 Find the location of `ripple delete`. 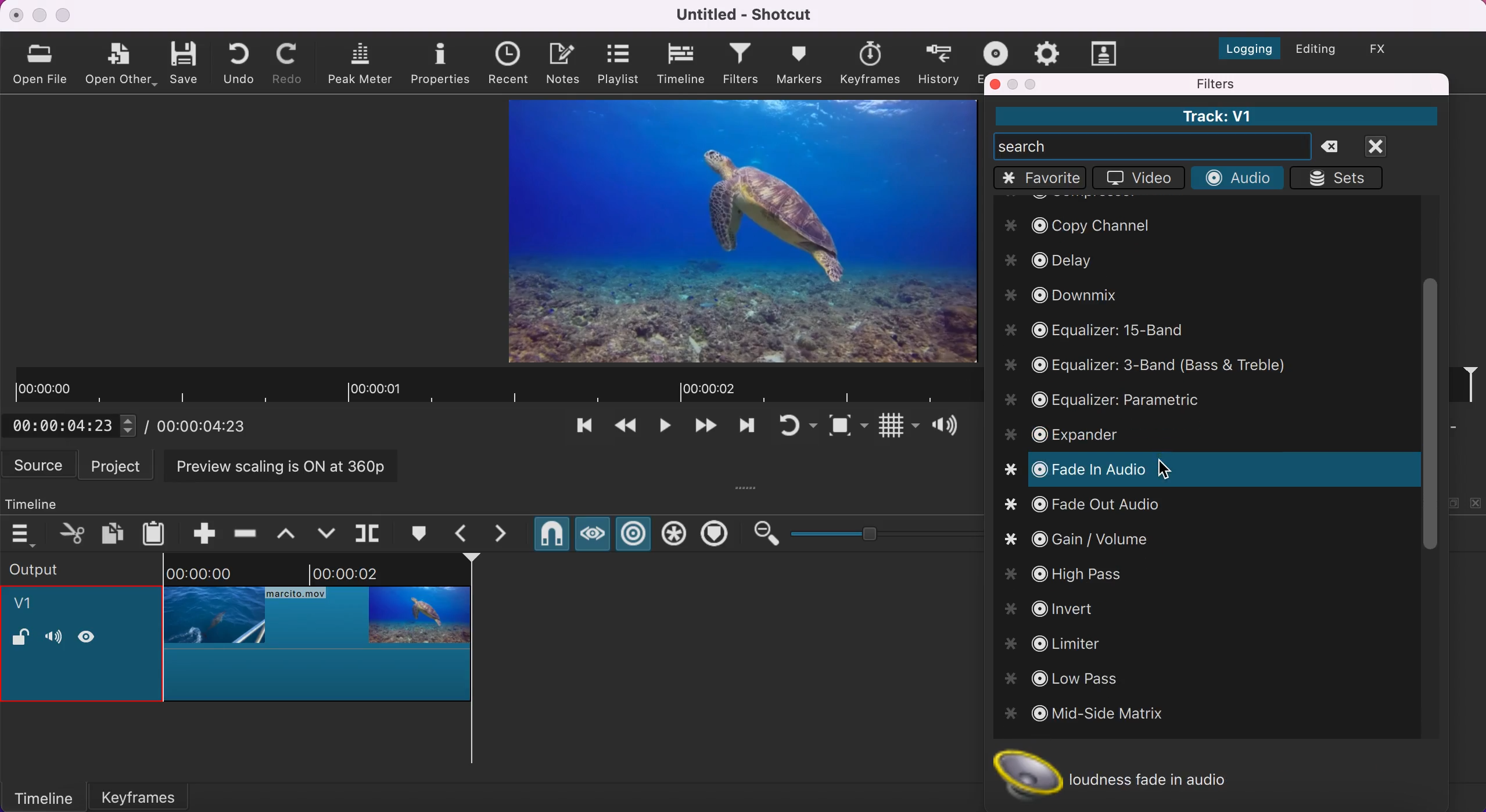

ripple delete is located at coordinates (246, 530).